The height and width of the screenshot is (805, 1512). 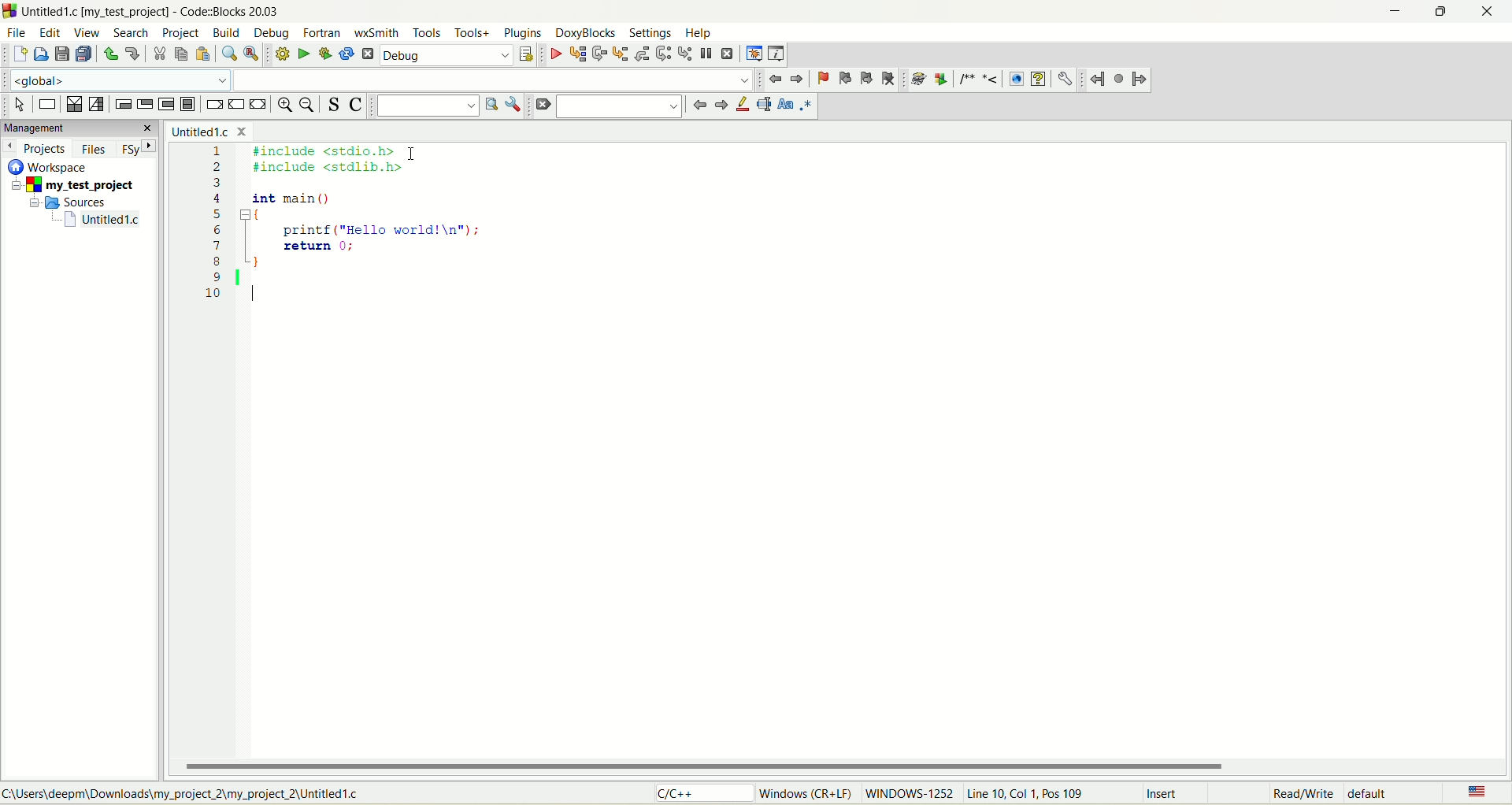 What do you see at coordinates (93, 150) in the screenshot?
I see `files` at bounding box center [93, 150].